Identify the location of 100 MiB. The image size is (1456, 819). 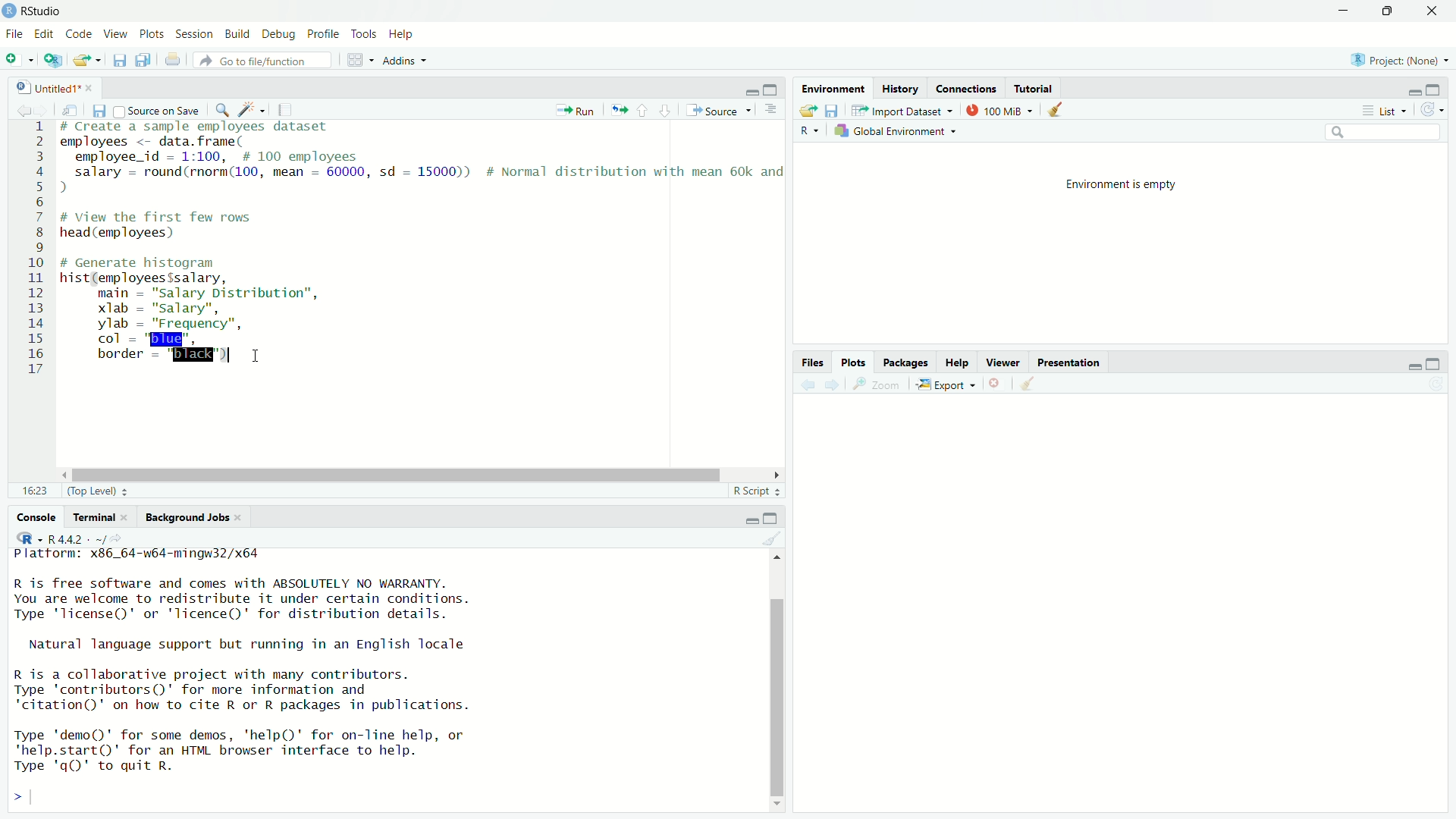
(999, 110).